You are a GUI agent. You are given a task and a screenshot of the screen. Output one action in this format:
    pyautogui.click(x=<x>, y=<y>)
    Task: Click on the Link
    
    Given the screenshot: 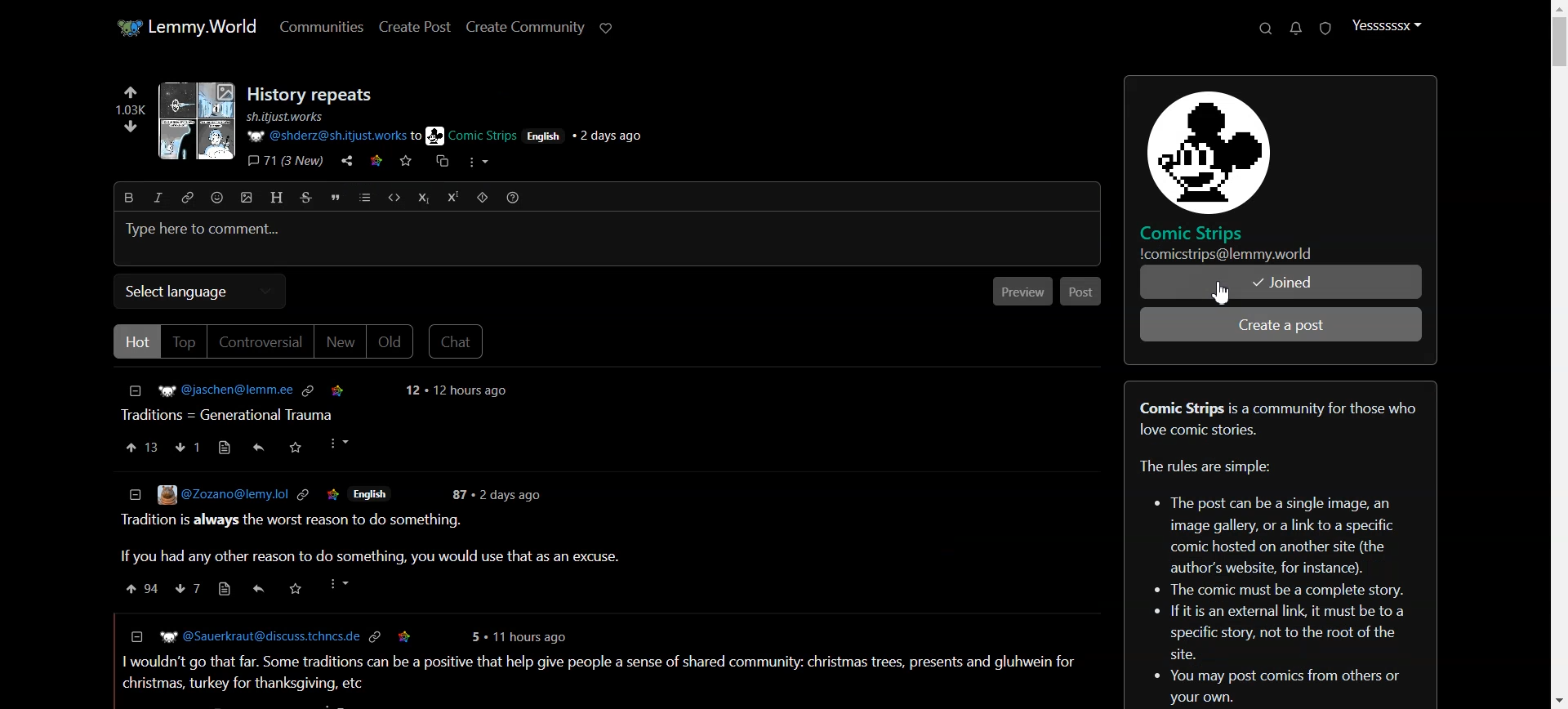 What is the action you would take?
    pyautogui.click(x=376, y=635)
    